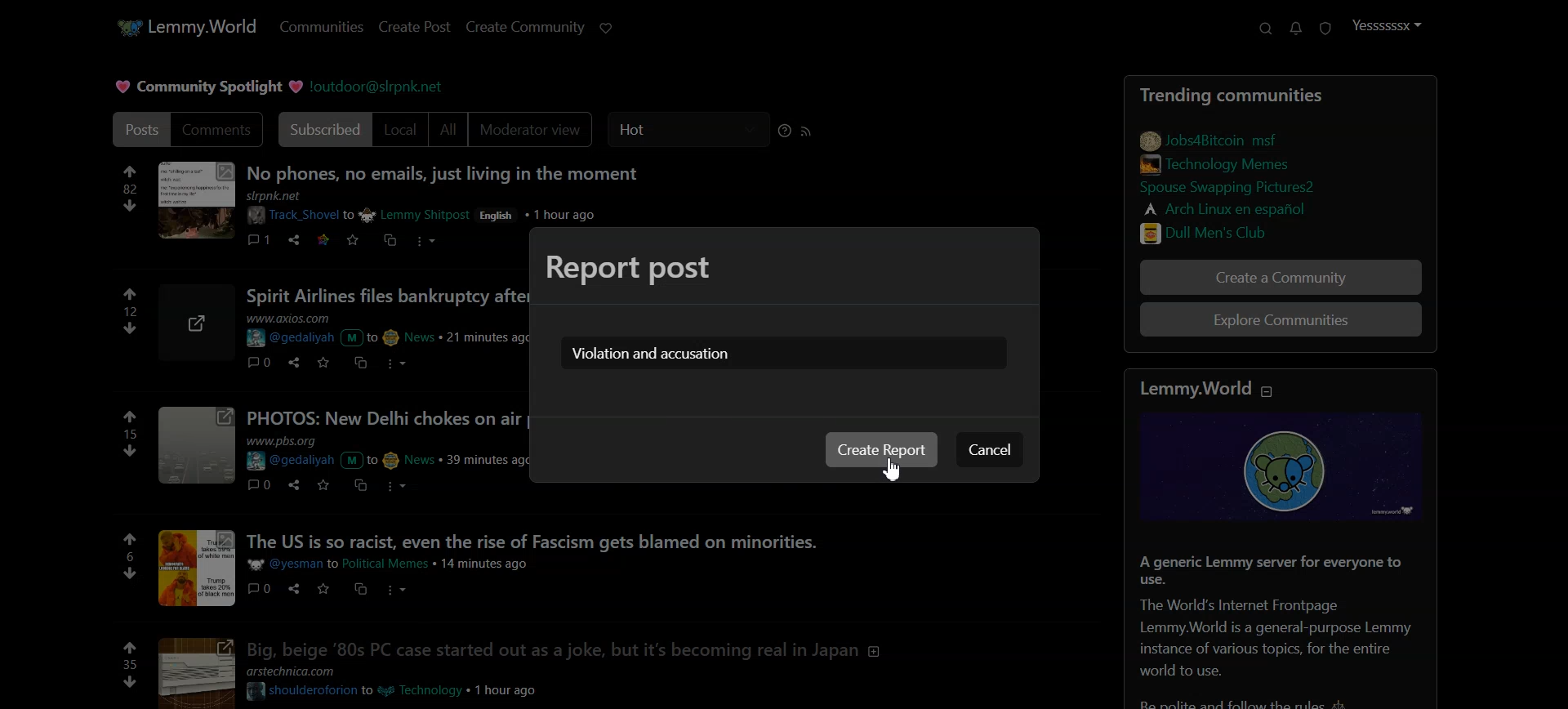 This screenshot has height=709, width=1568. Describe the element at coordinates (386, 296) in the screenshot. I see `post ` at that location.